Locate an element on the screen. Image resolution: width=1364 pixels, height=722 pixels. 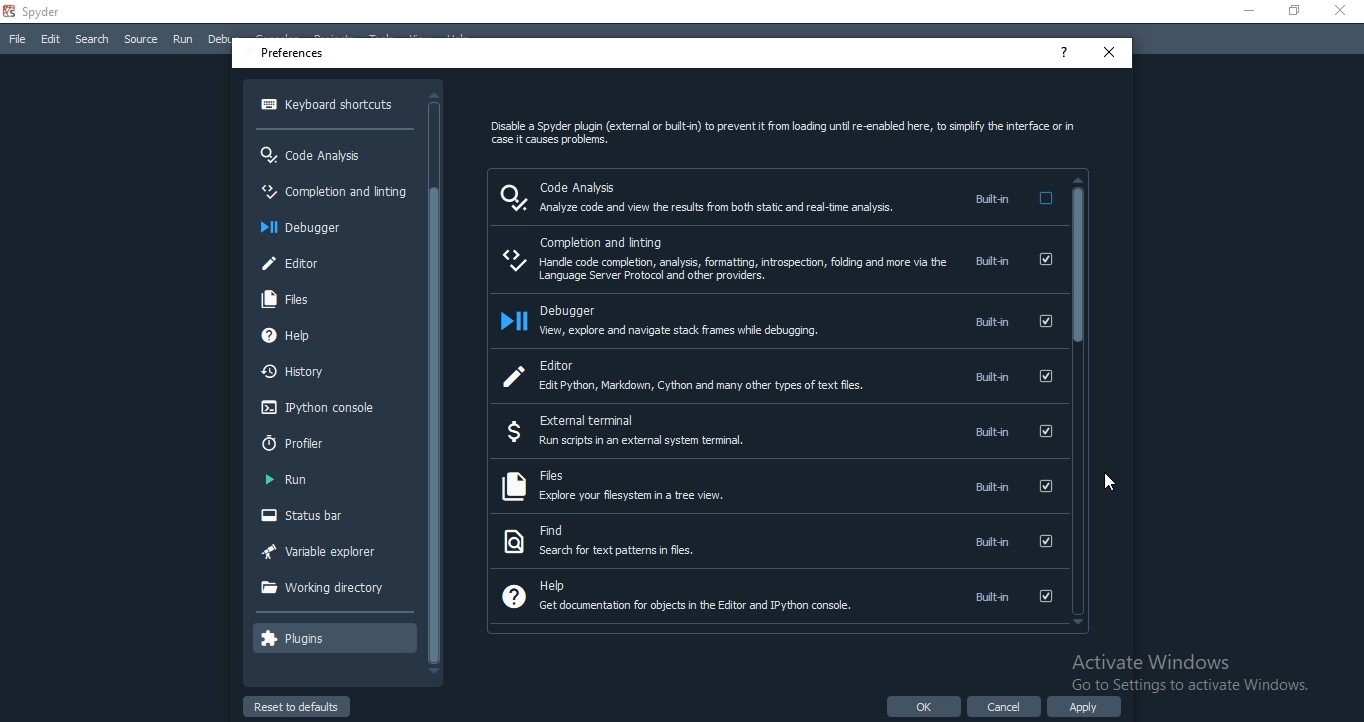
plugins is located at coordinates (331, 640).